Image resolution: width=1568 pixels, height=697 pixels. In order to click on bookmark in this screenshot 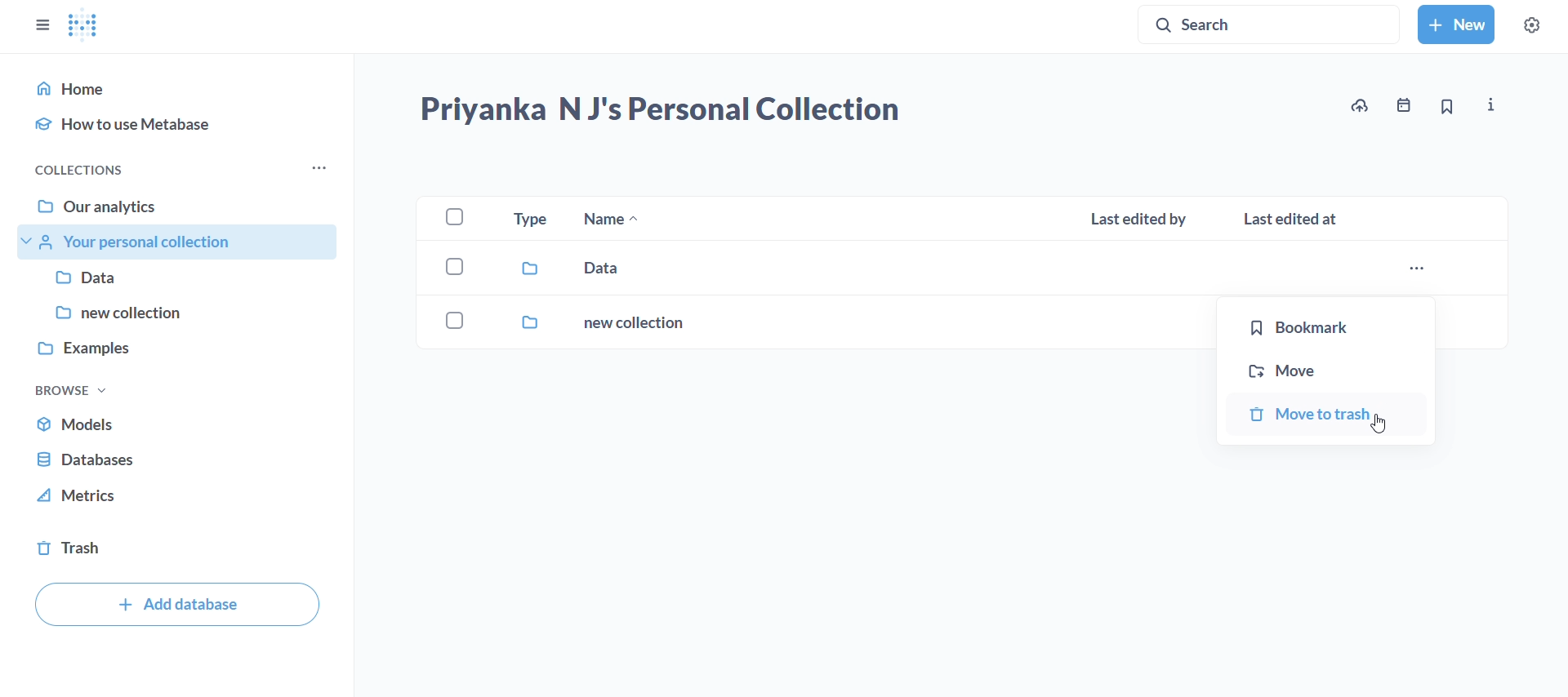, I will do `click(1450, 107)`.